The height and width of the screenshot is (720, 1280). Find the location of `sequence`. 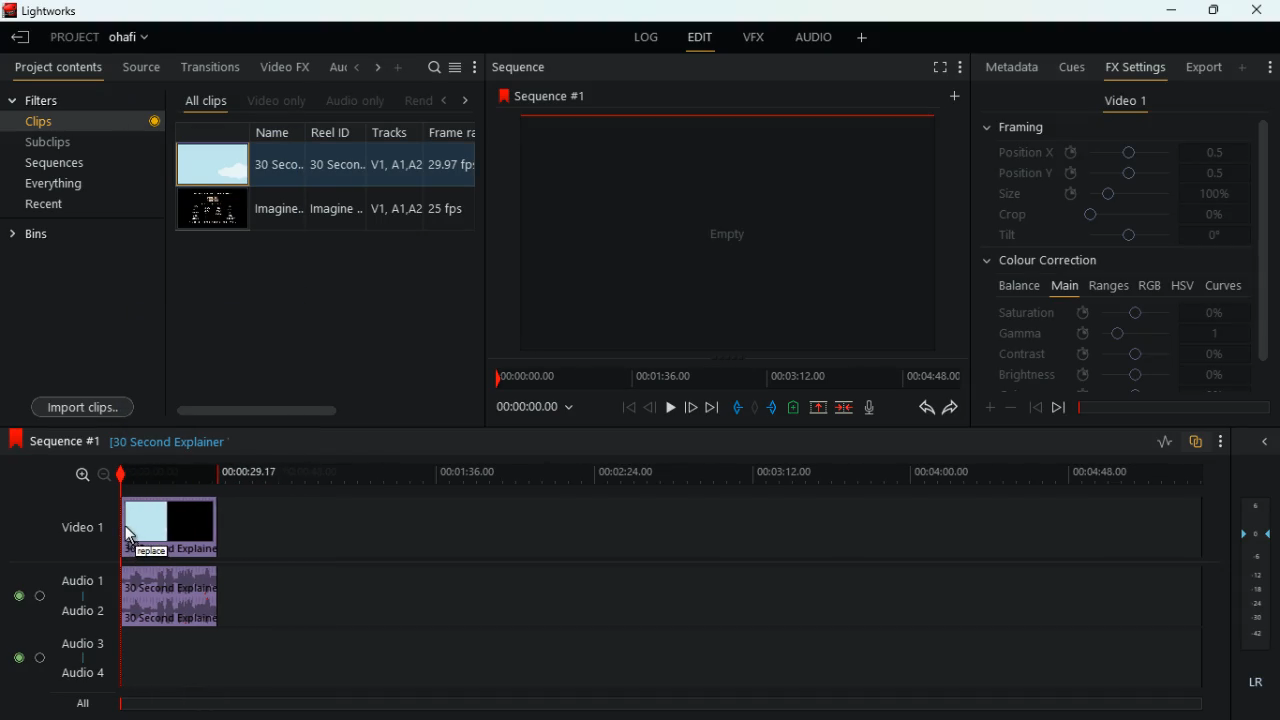

sequence is located at coordinates (550, 96).